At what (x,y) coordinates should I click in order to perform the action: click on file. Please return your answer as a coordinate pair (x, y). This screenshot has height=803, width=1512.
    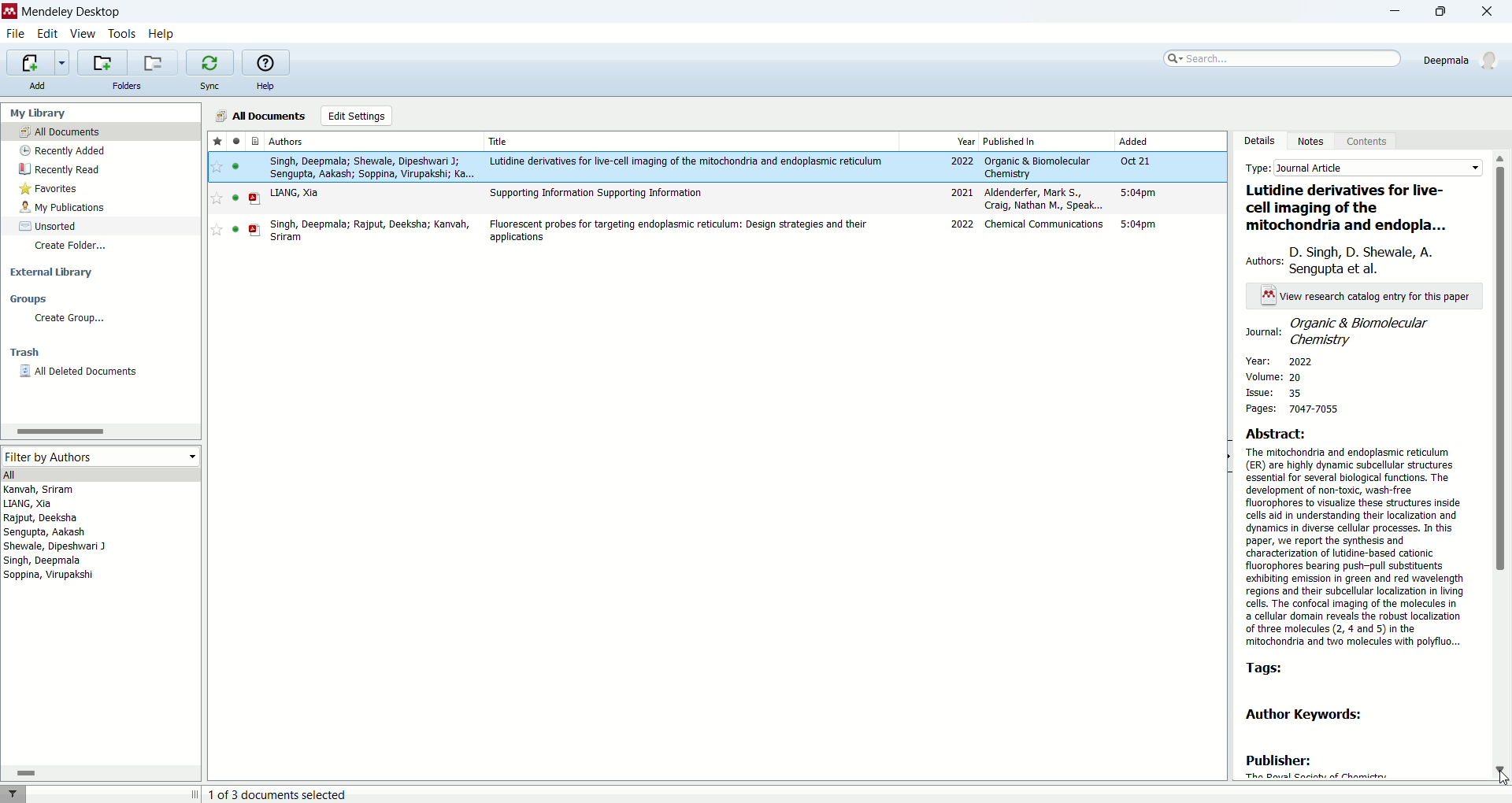
    Looking at the image, I should click on (16, 35).